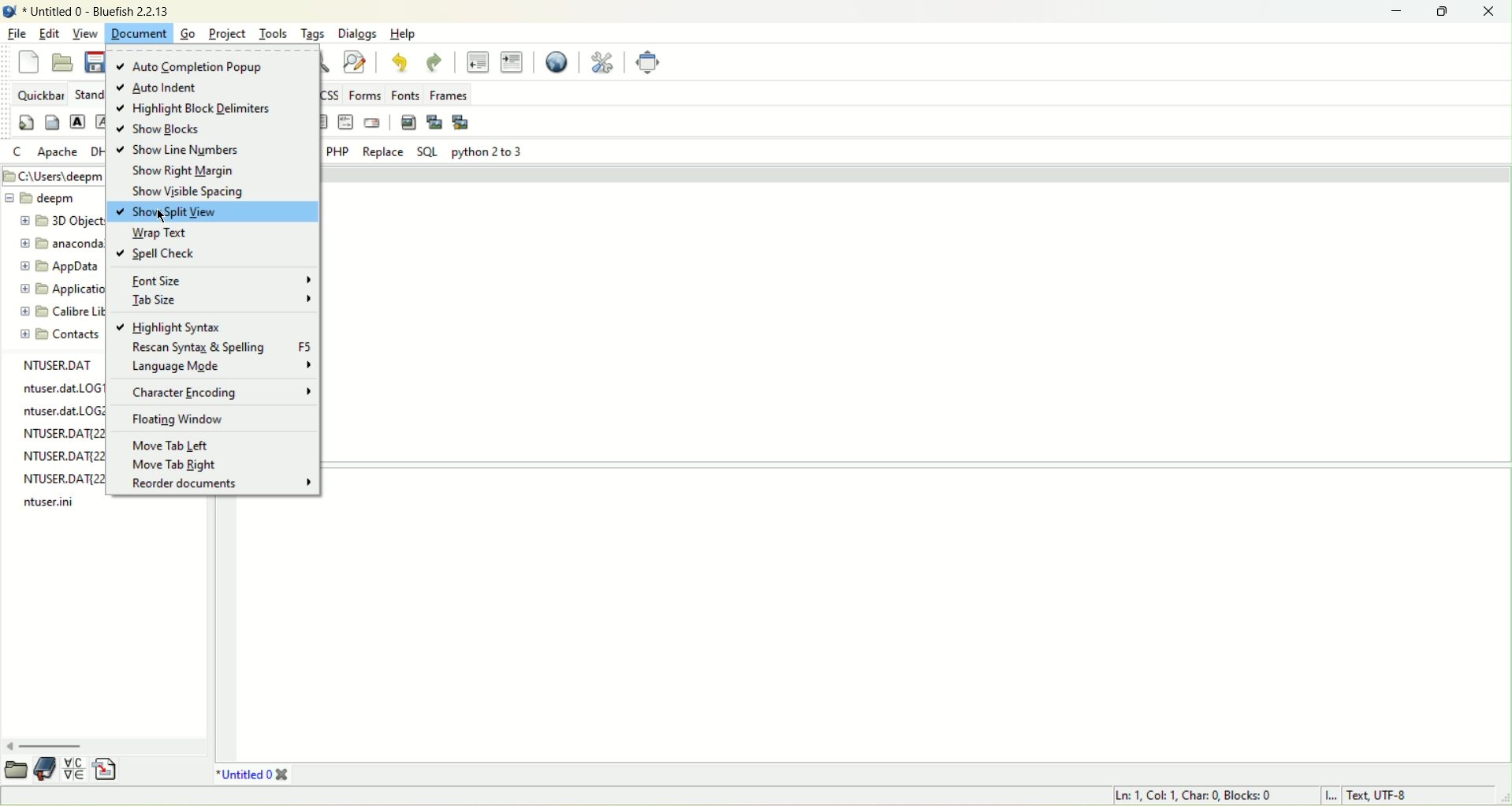 The height and width of the screenshot is (806, 1512). I want to click on cursor, so click(163, 216).